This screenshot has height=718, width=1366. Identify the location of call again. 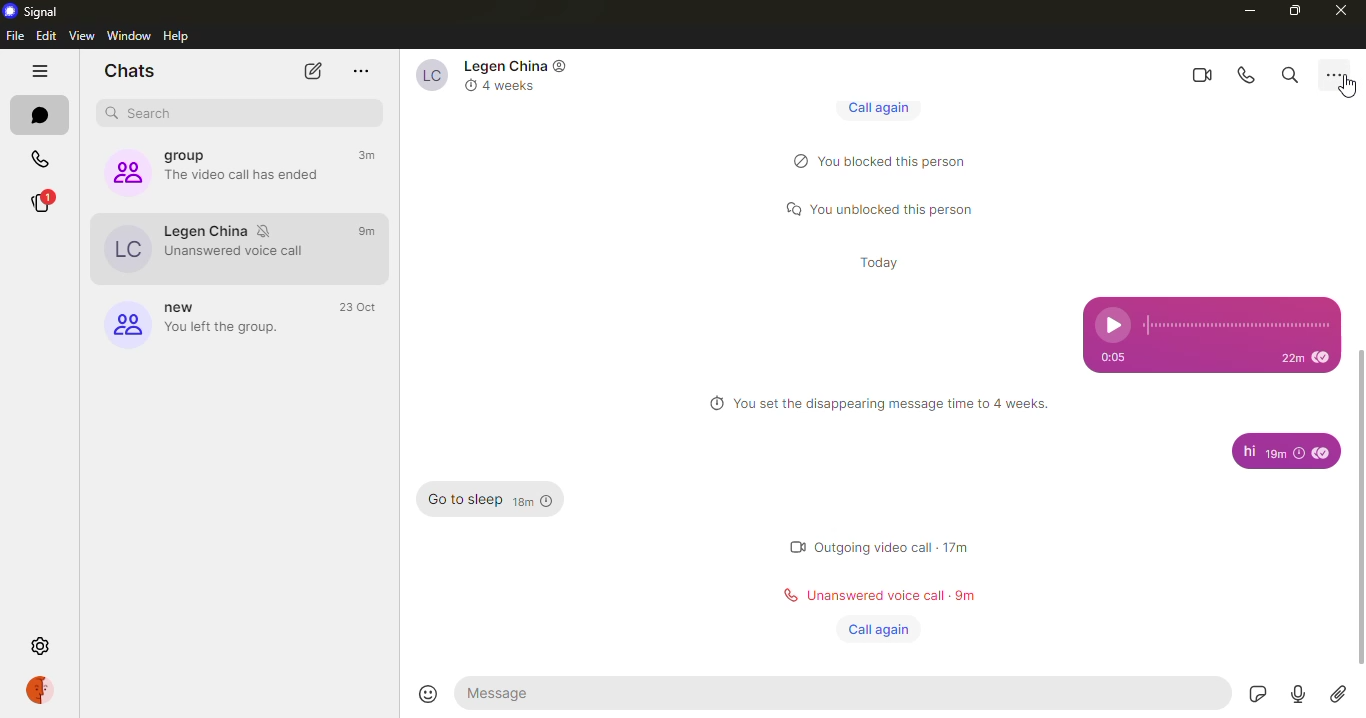
(878, 628).